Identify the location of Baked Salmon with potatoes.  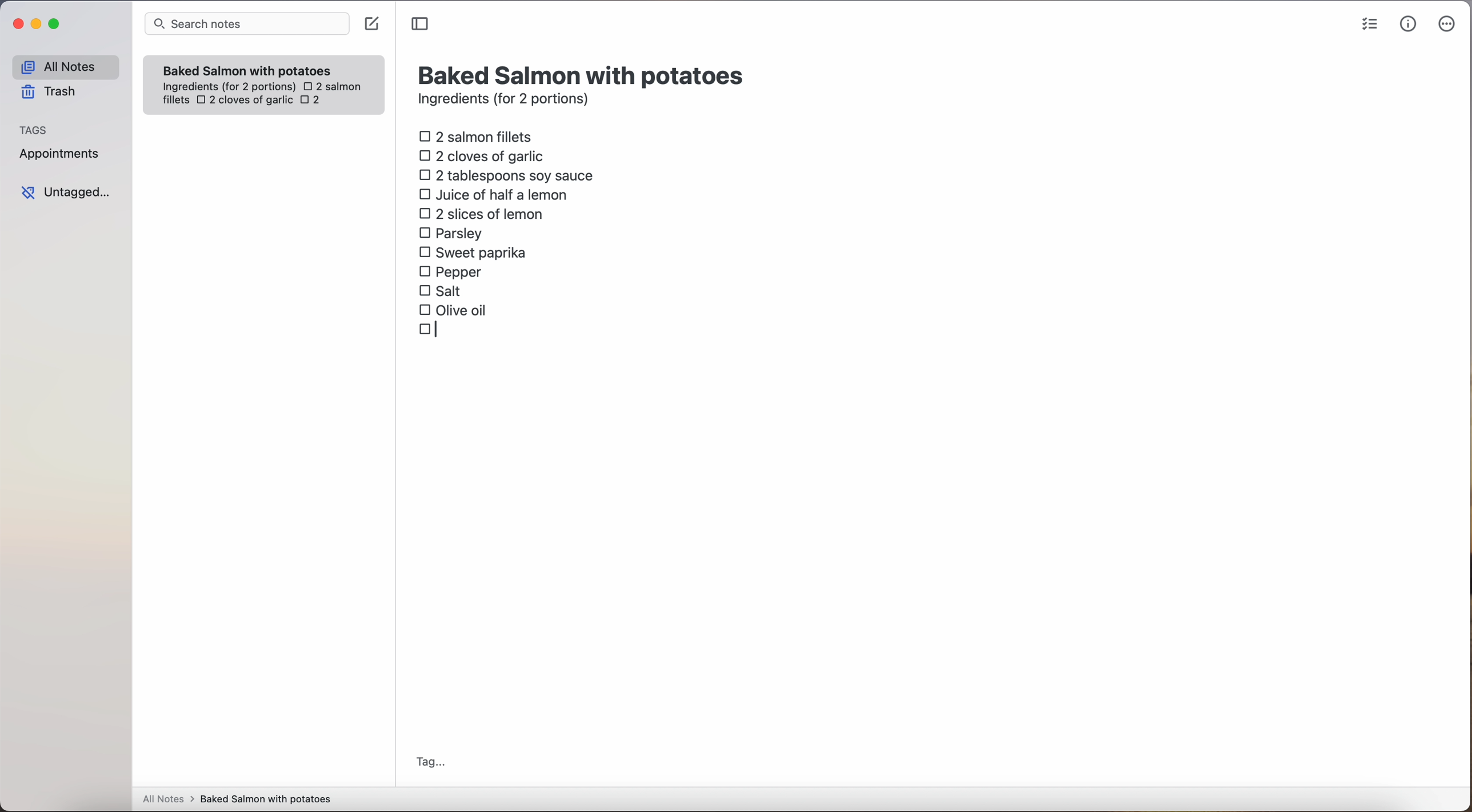
(247, 68).